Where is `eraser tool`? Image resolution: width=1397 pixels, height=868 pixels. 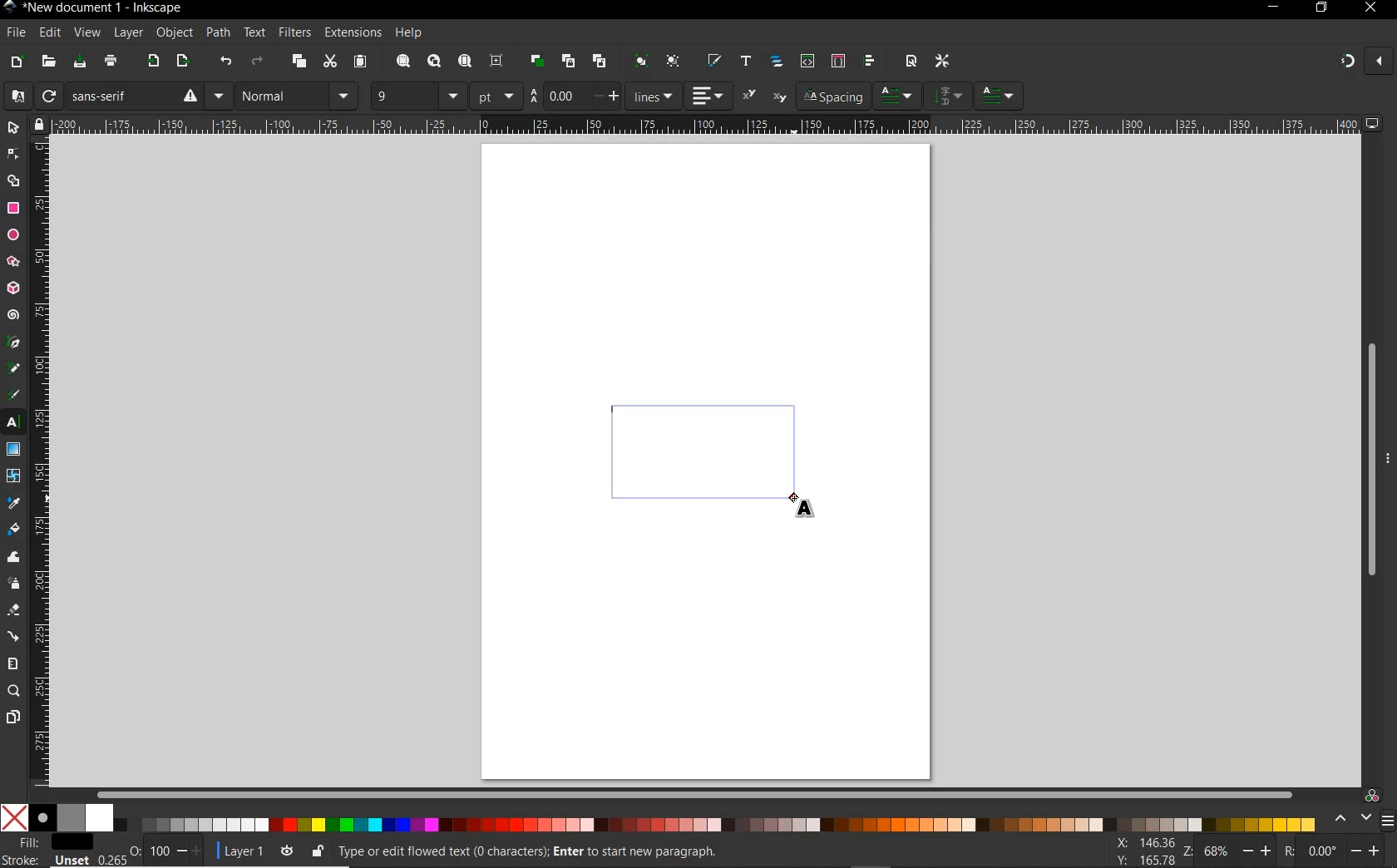 eraser tool is located at coordinates (14, 613).